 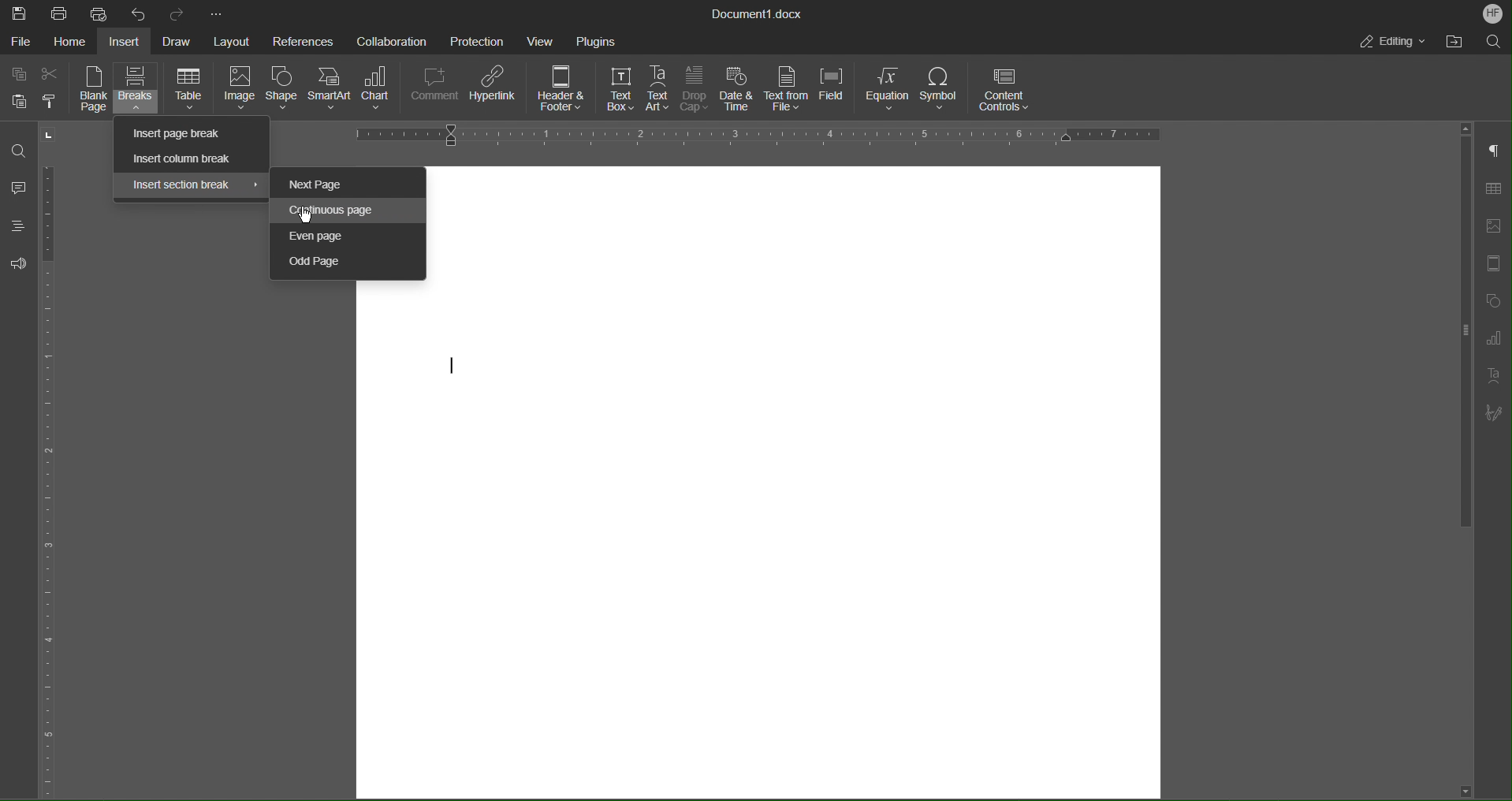 I want to click on Protection, so click(x=471, y=38).